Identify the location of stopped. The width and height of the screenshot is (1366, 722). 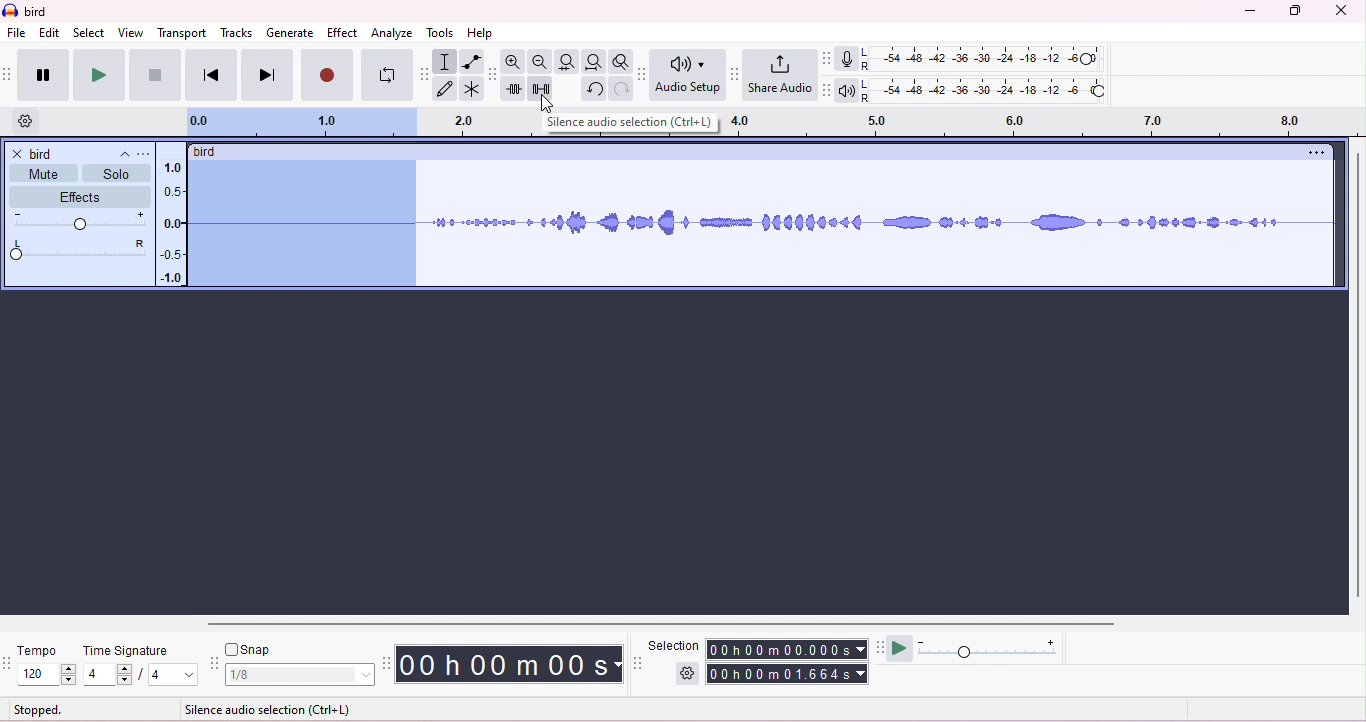
(38, 711).